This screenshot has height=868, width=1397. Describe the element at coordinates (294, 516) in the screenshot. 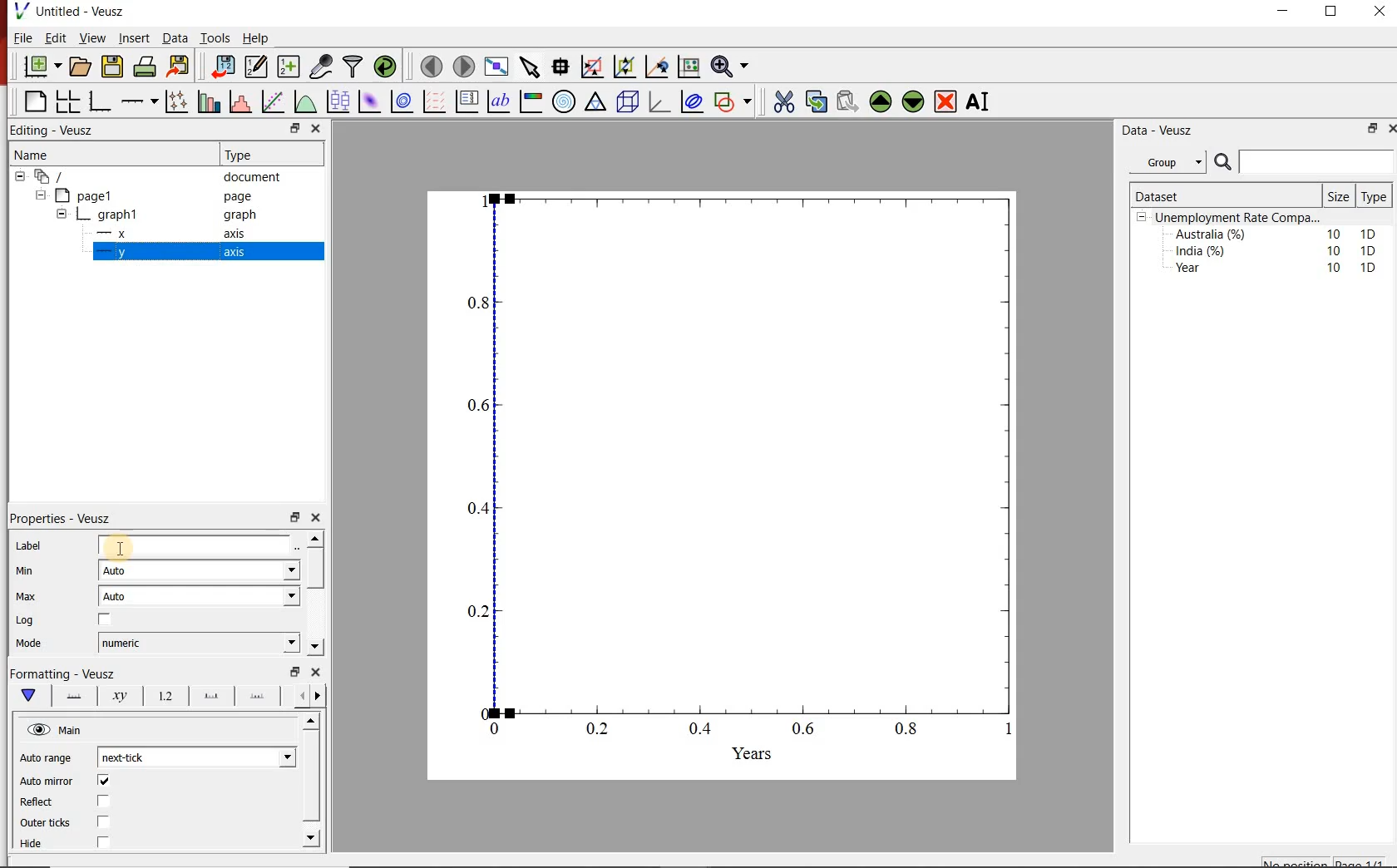

I see `minimise` at that location.